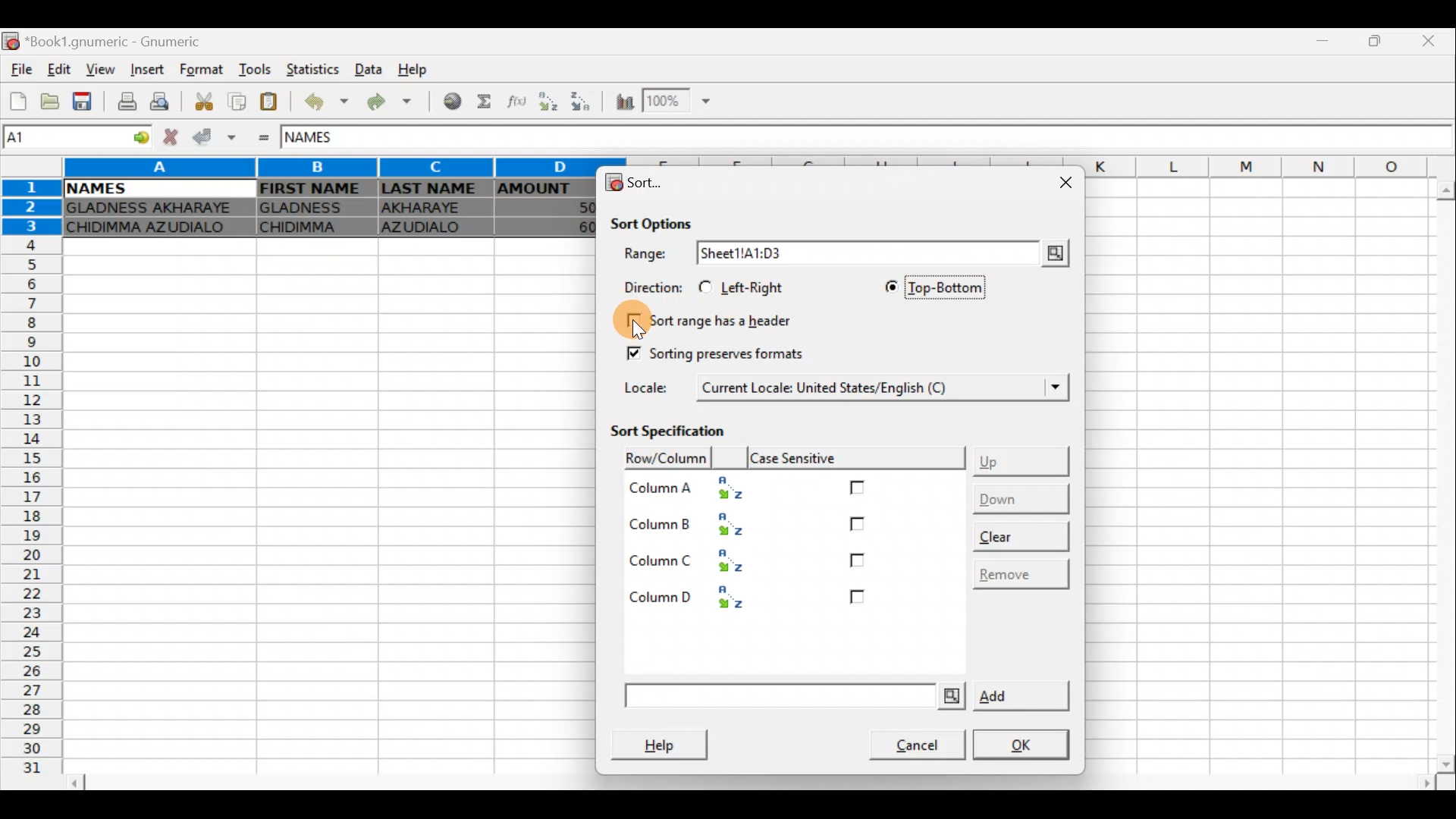 The width and height of the screenshot is (1456, 819). I want to click on Help, so click(667, 743).